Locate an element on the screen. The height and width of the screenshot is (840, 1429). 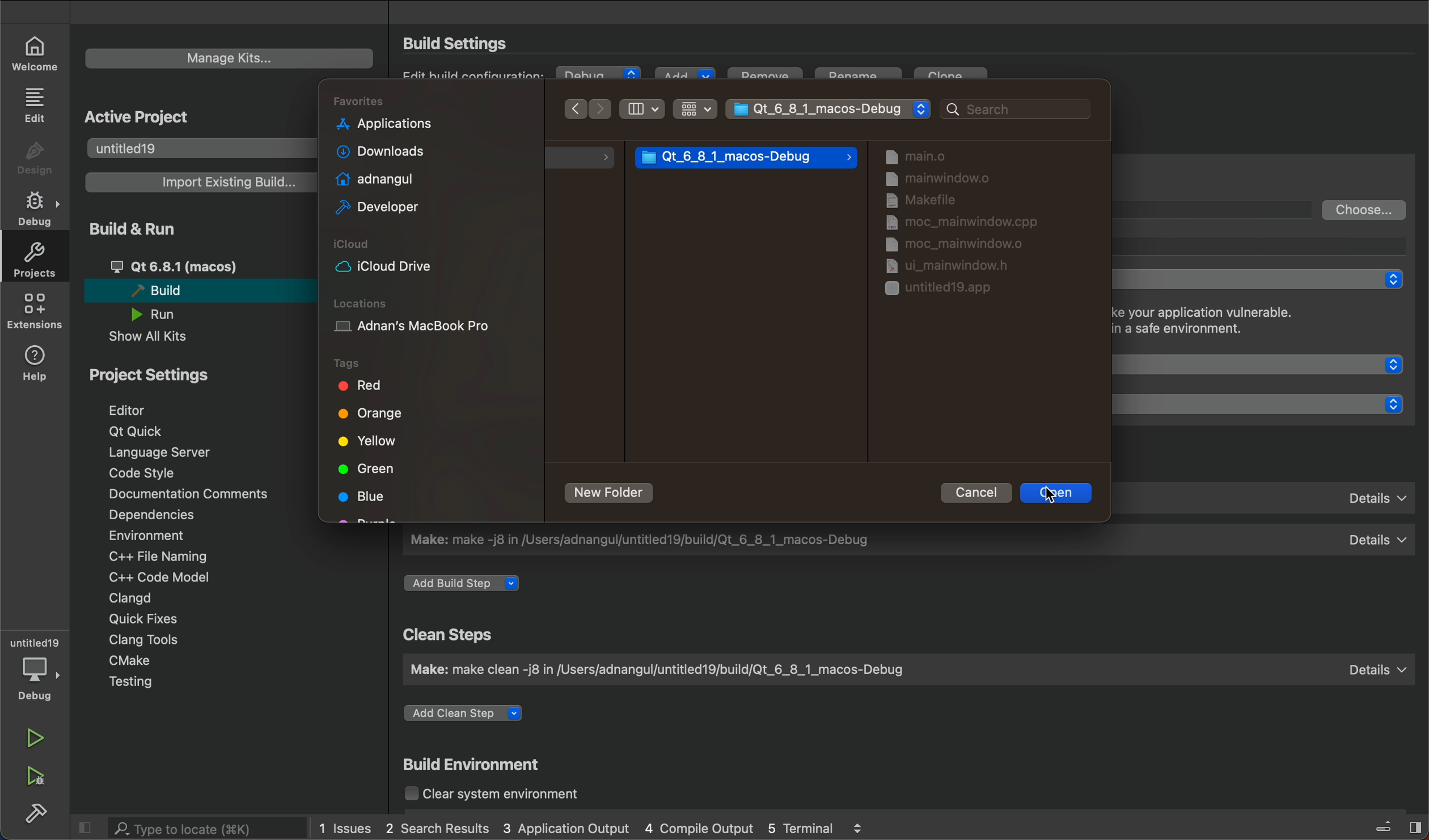
make is located at coordinates (908, 540).